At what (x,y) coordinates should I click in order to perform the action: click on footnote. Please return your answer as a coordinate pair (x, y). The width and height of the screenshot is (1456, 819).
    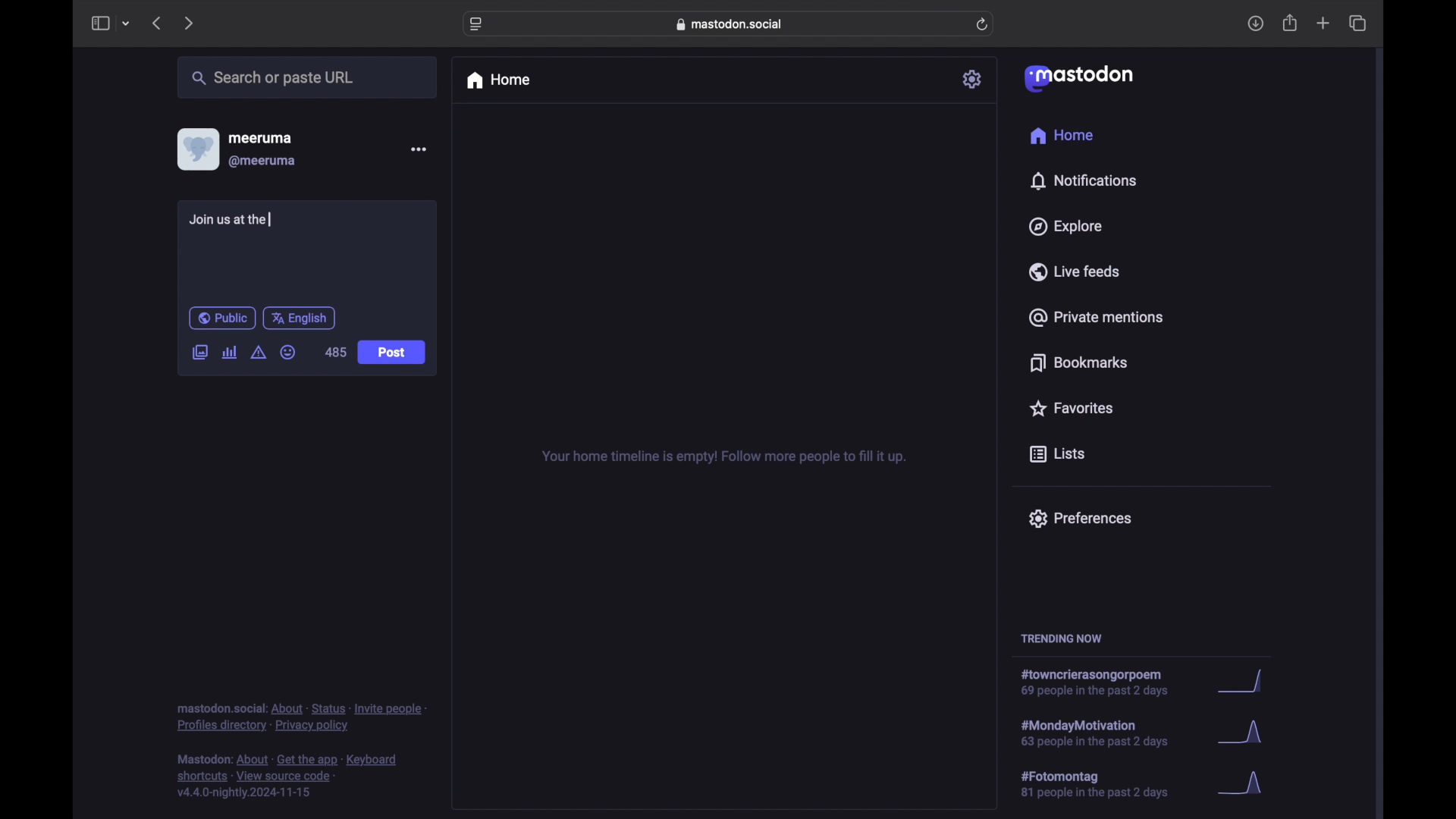
    Looking at the image, I should click on (302, 717).